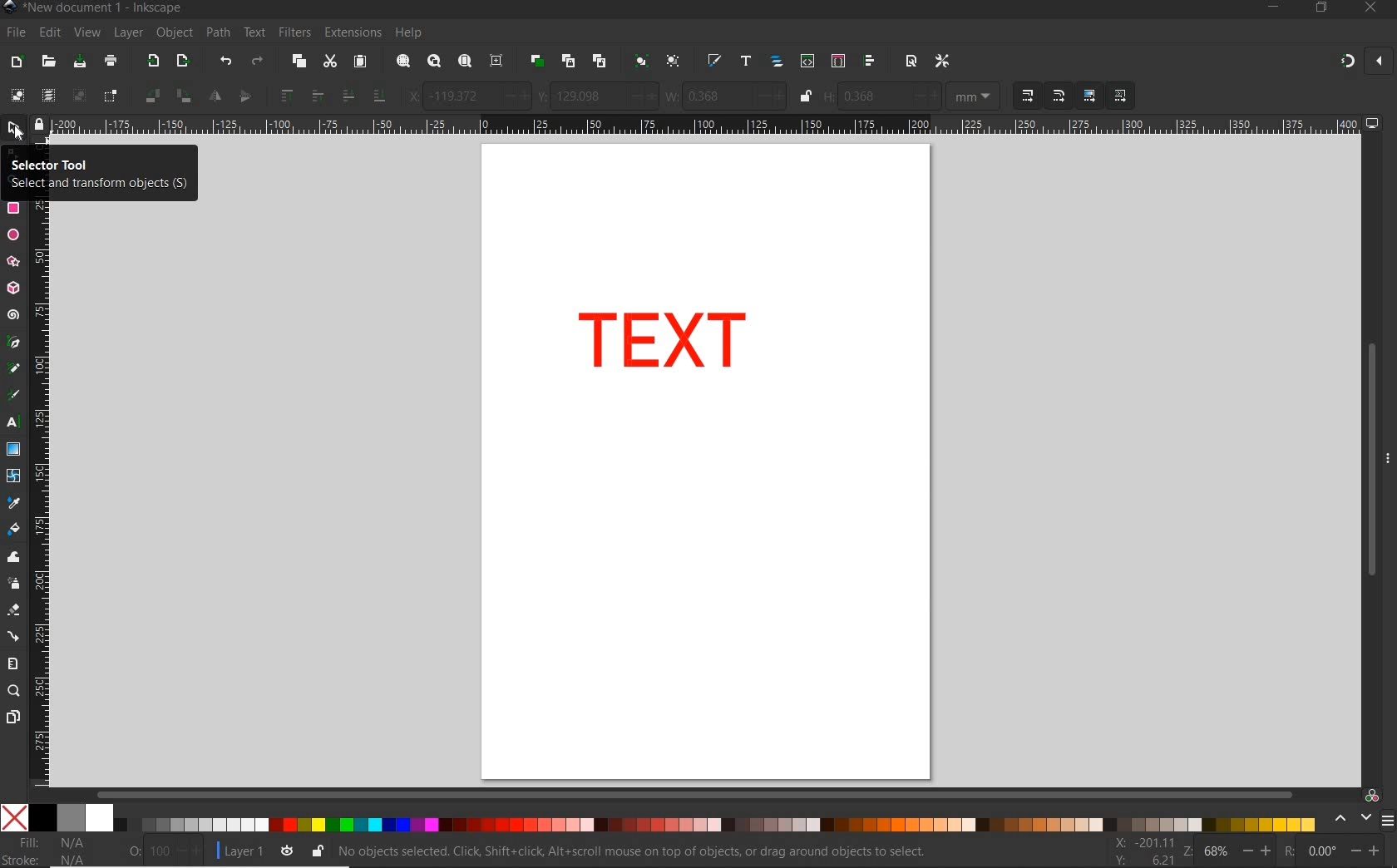 This screenshot has width=1397, height=868. What do you see at coordinates (1365, 458) in the screenshot?
I see `SCROLLBAR` at bounding box center [1365, 458].